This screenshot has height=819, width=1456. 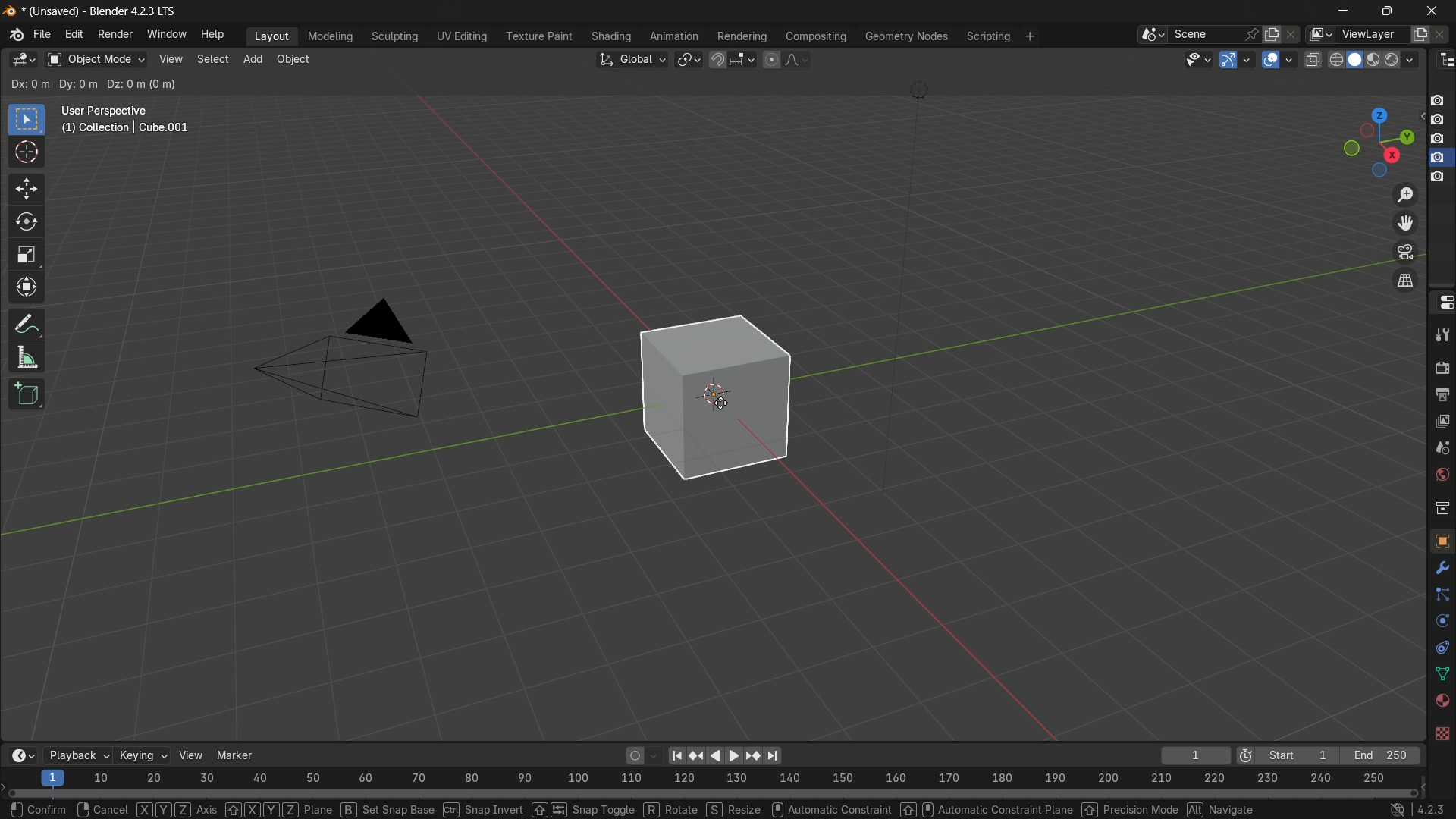 I want to click on 4.2.3, so click(x=1419, y=808).